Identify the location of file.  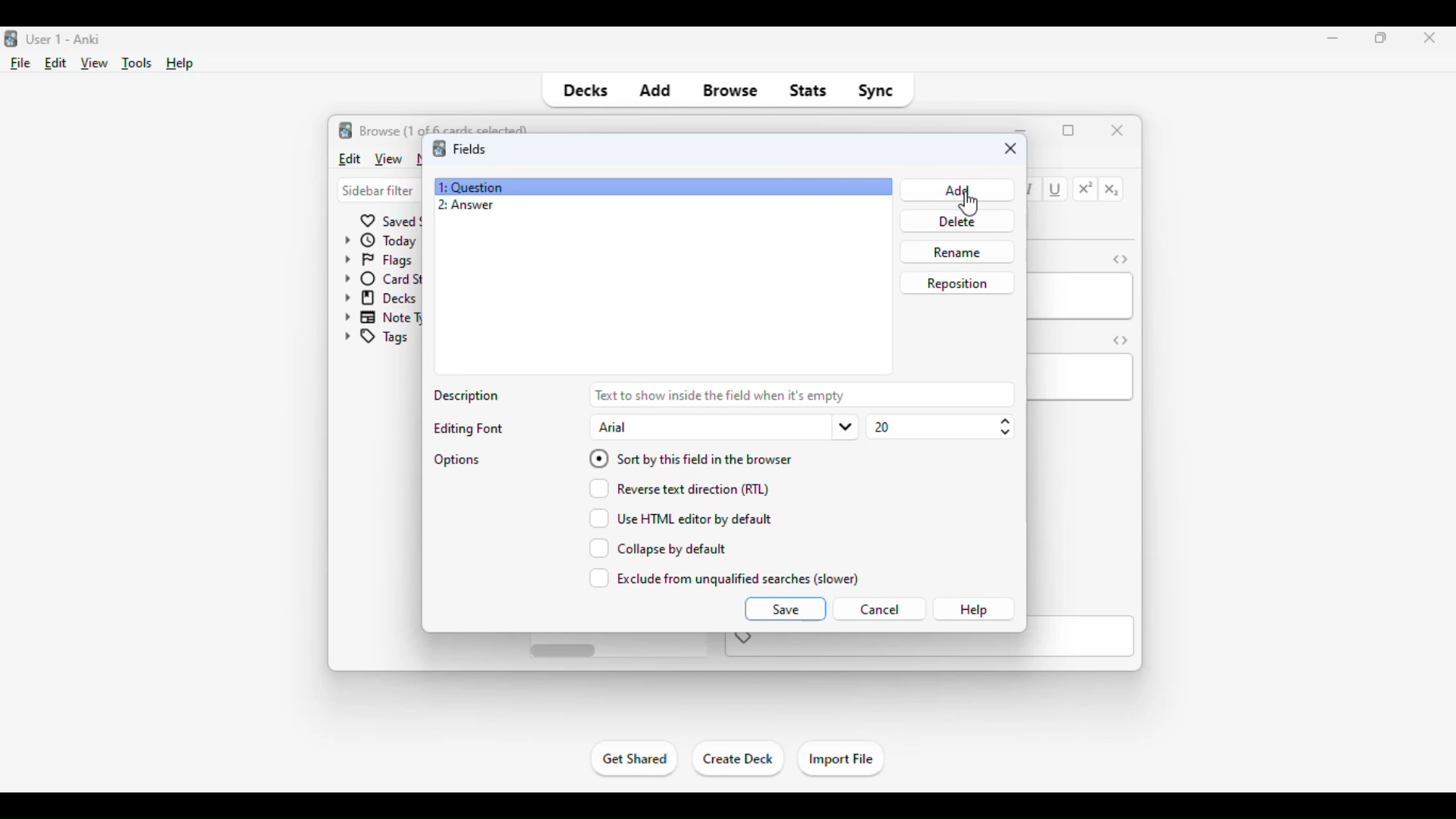
(21, 64).